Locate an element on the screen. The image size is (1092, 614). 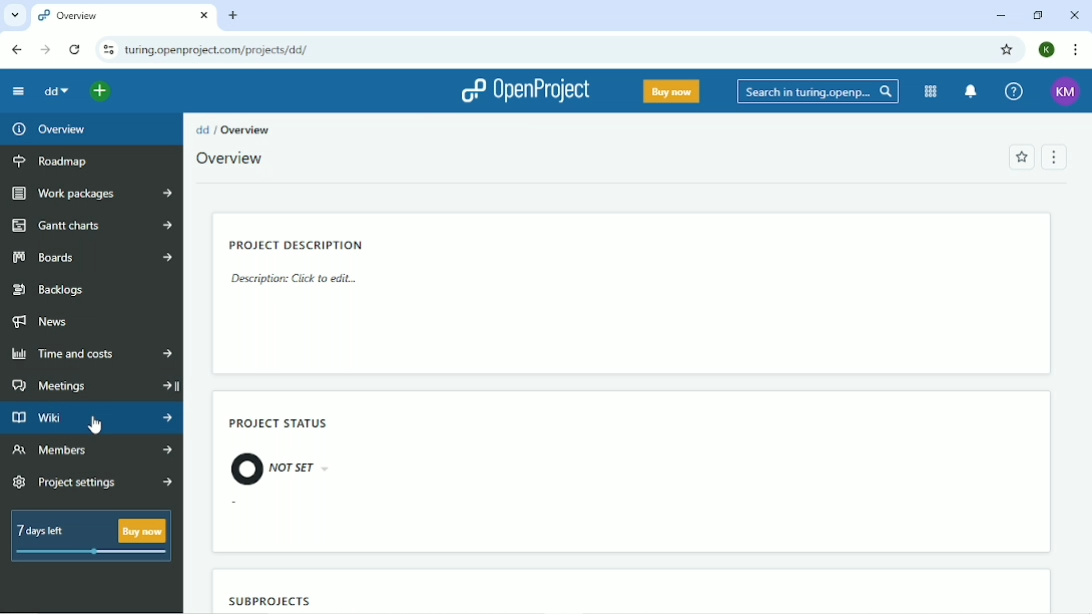
Time and costs is located at coordinates (89, 354).